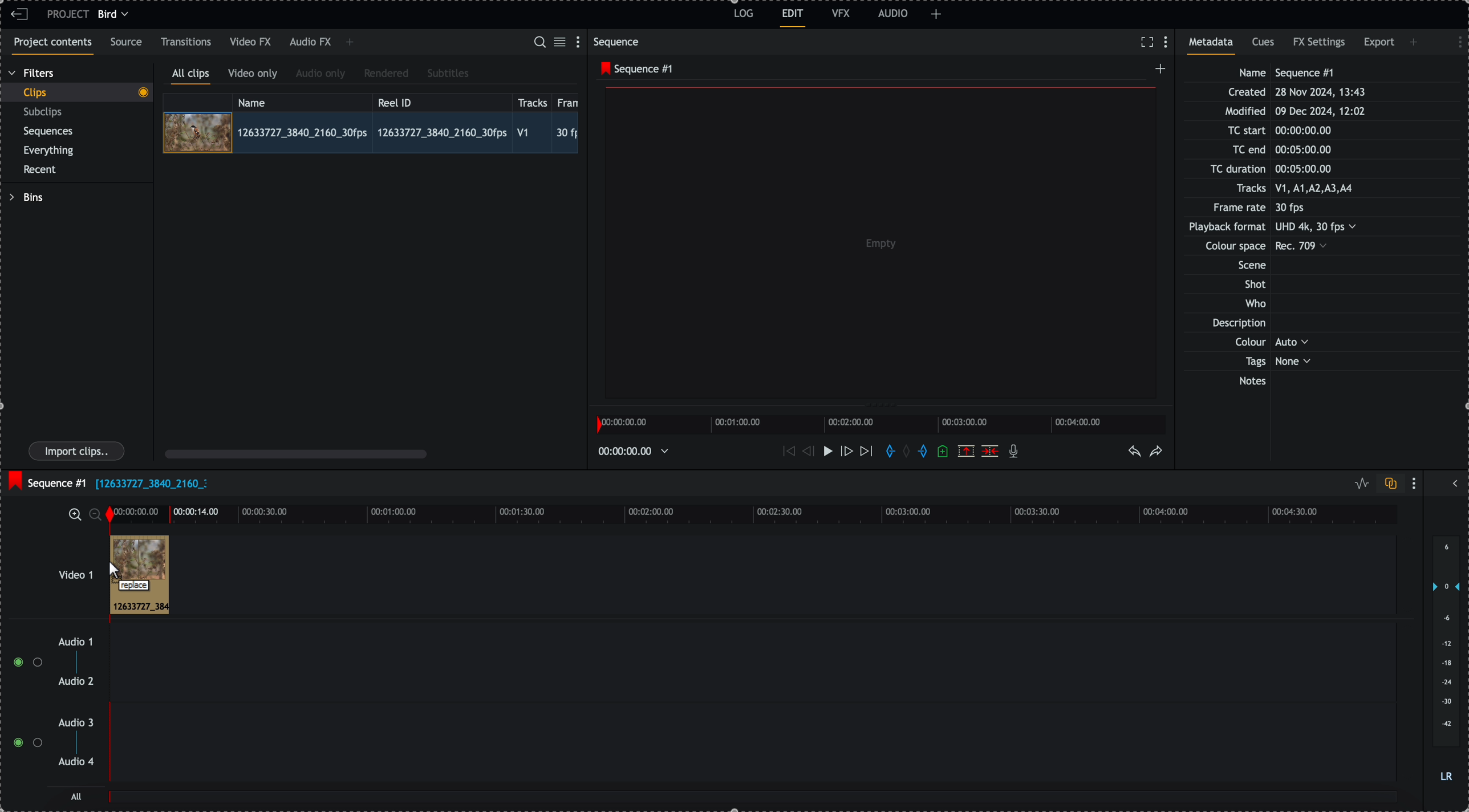 The width and height of the screenshot is (1469, 812). Describe the element at coordinates (876, 245) in the screenshot. I see `video preview` at that location.